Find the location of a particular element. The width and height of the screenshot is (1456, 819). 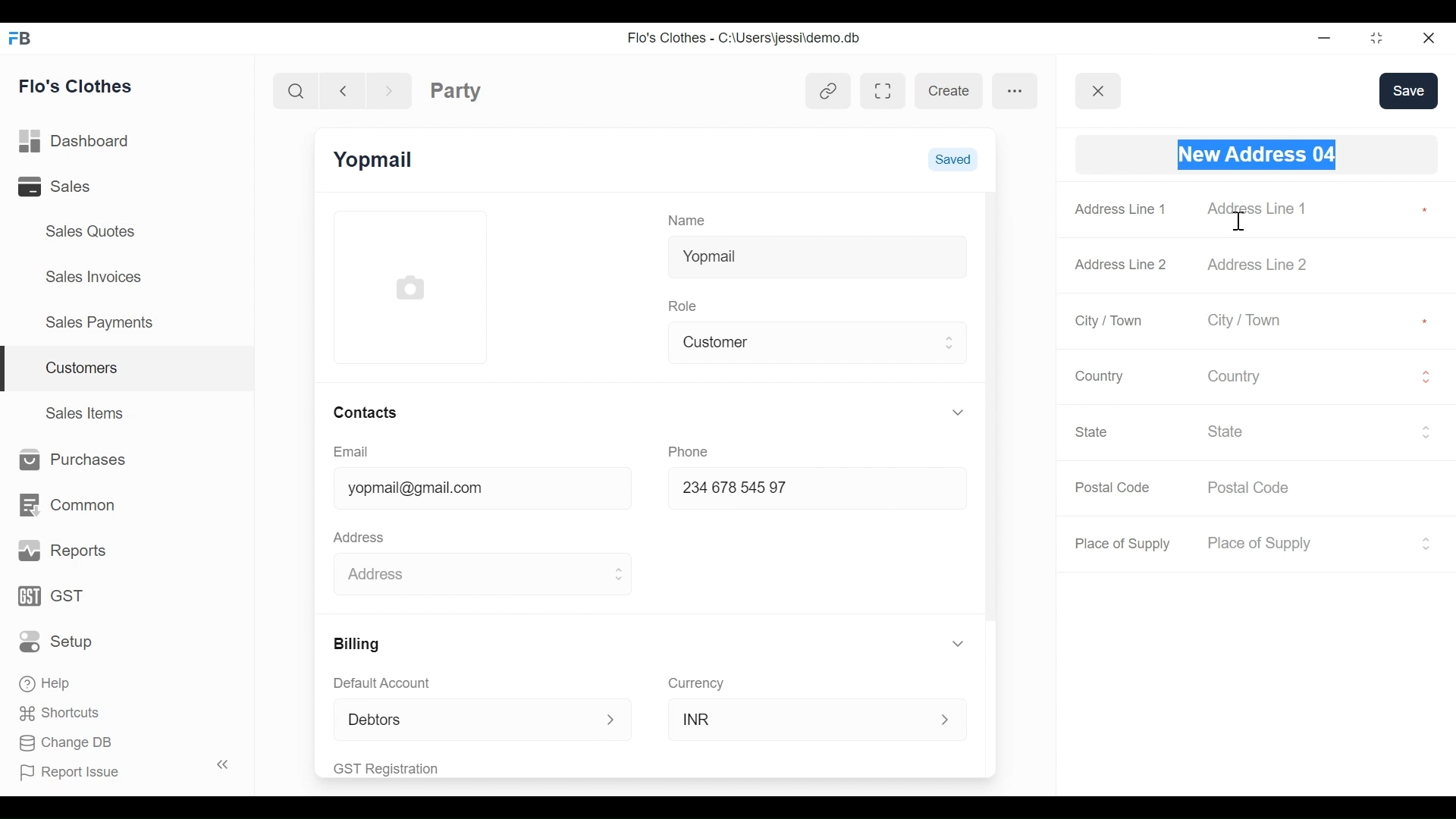

yopmail@gmail.com is located at coordinates (469, 490).